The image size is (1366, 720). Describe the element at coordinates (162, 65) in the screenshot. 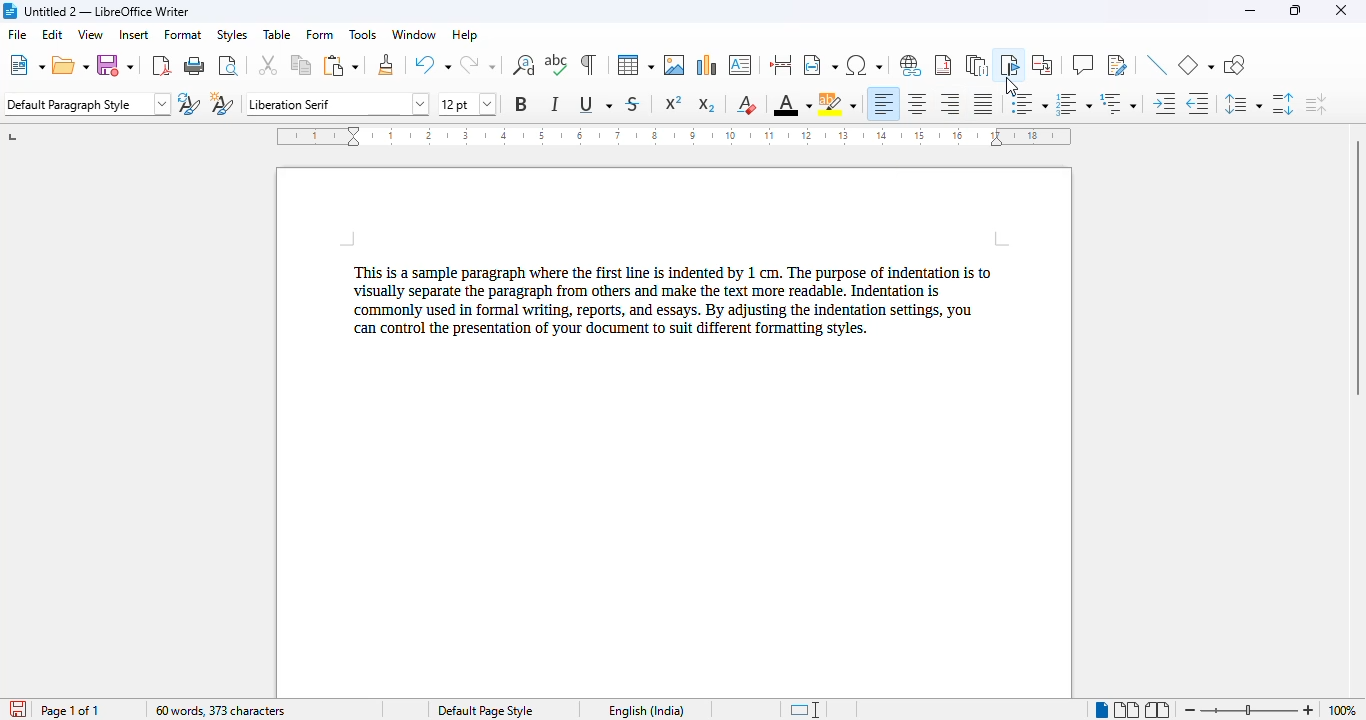

I see `export directly as PDF` at that location.